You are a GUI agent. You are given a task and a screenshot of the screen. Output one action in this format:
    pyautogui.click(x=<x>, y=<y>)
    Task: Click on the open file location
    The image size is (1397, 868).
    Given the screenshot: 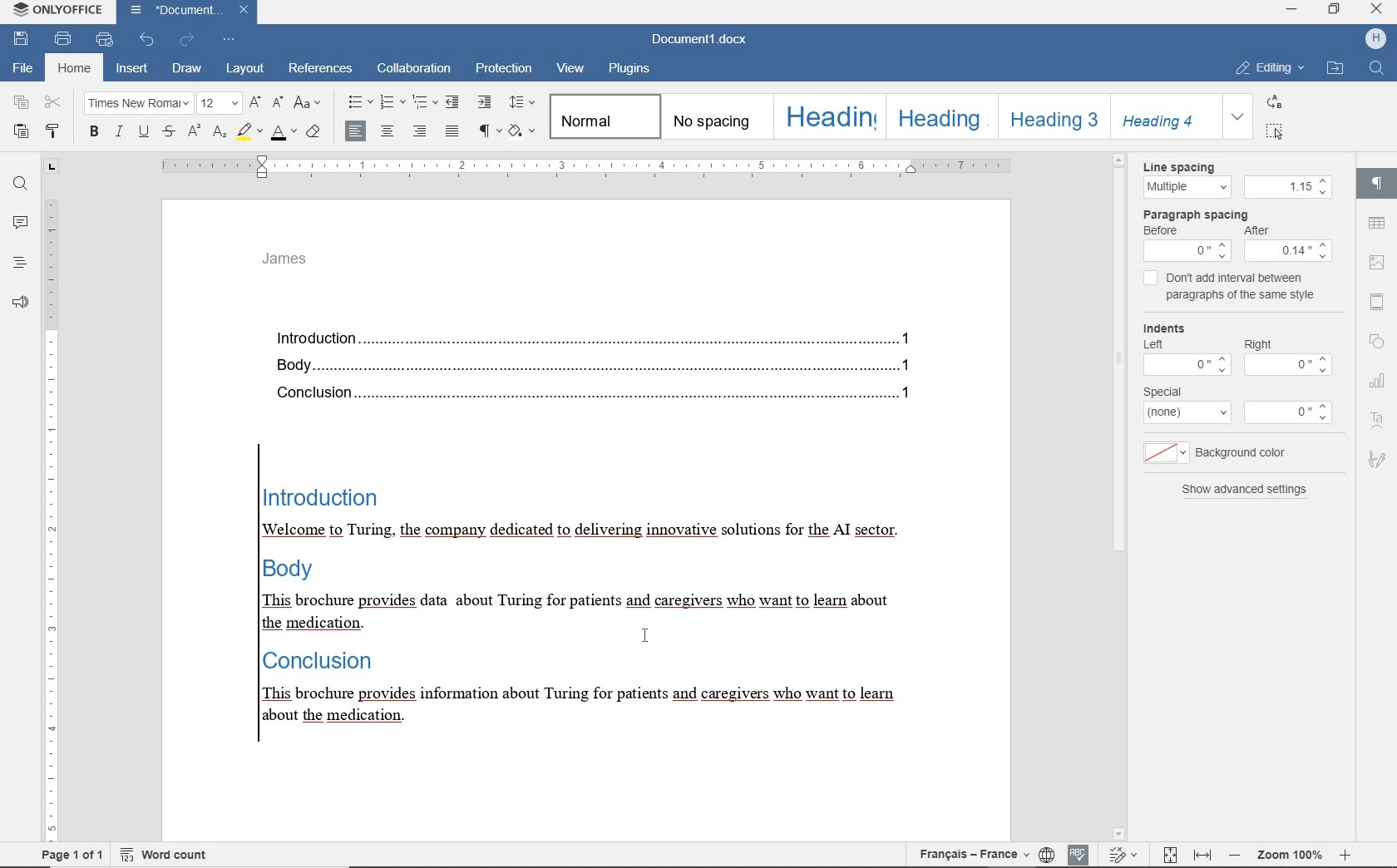 What is the action you would take?
    pyautogui.click(x=1335, y=70)
    